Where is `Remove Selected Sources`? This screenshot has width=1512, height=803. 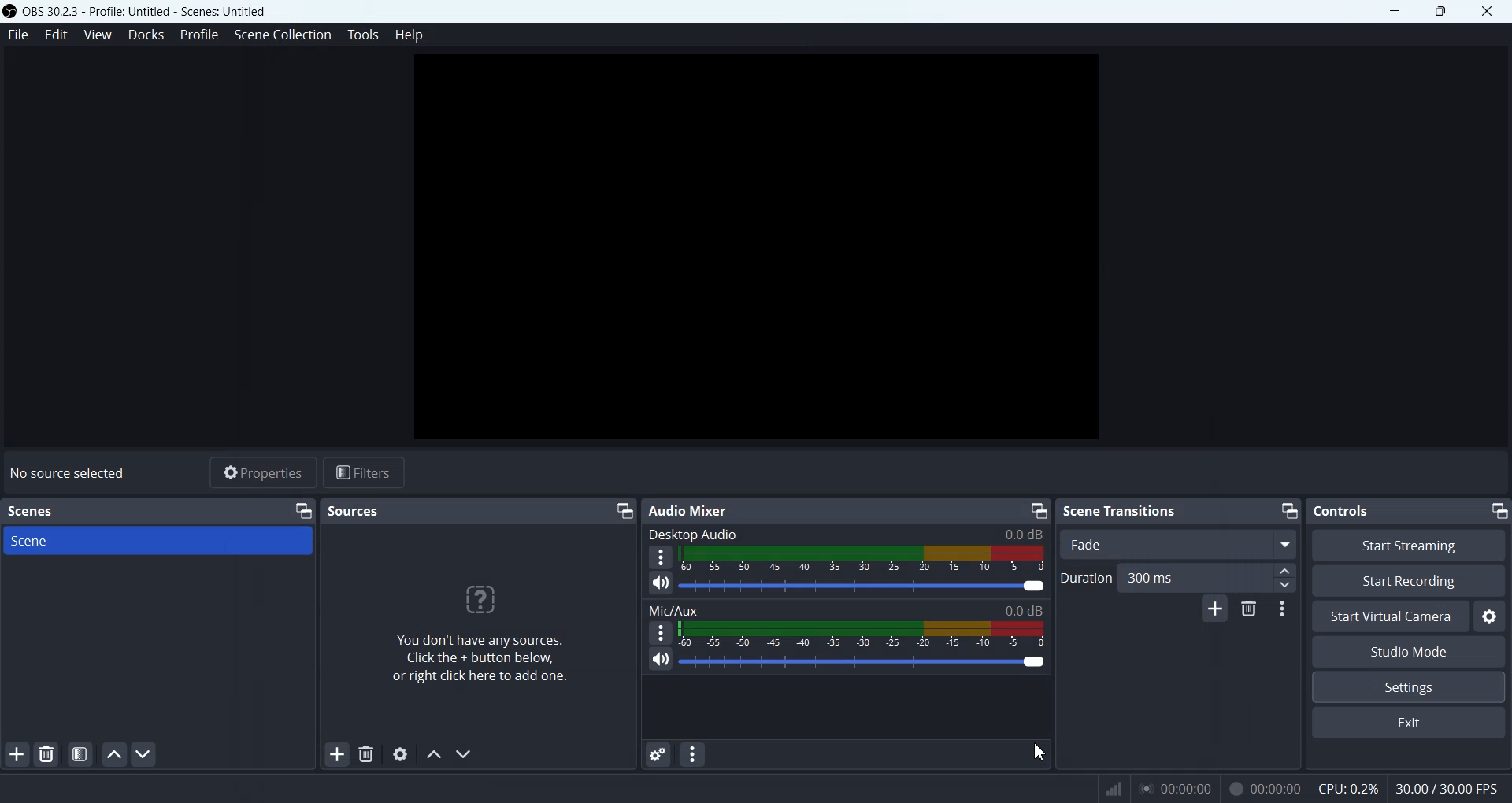
Remove Selected Sources is located at coordinates (369, 753).